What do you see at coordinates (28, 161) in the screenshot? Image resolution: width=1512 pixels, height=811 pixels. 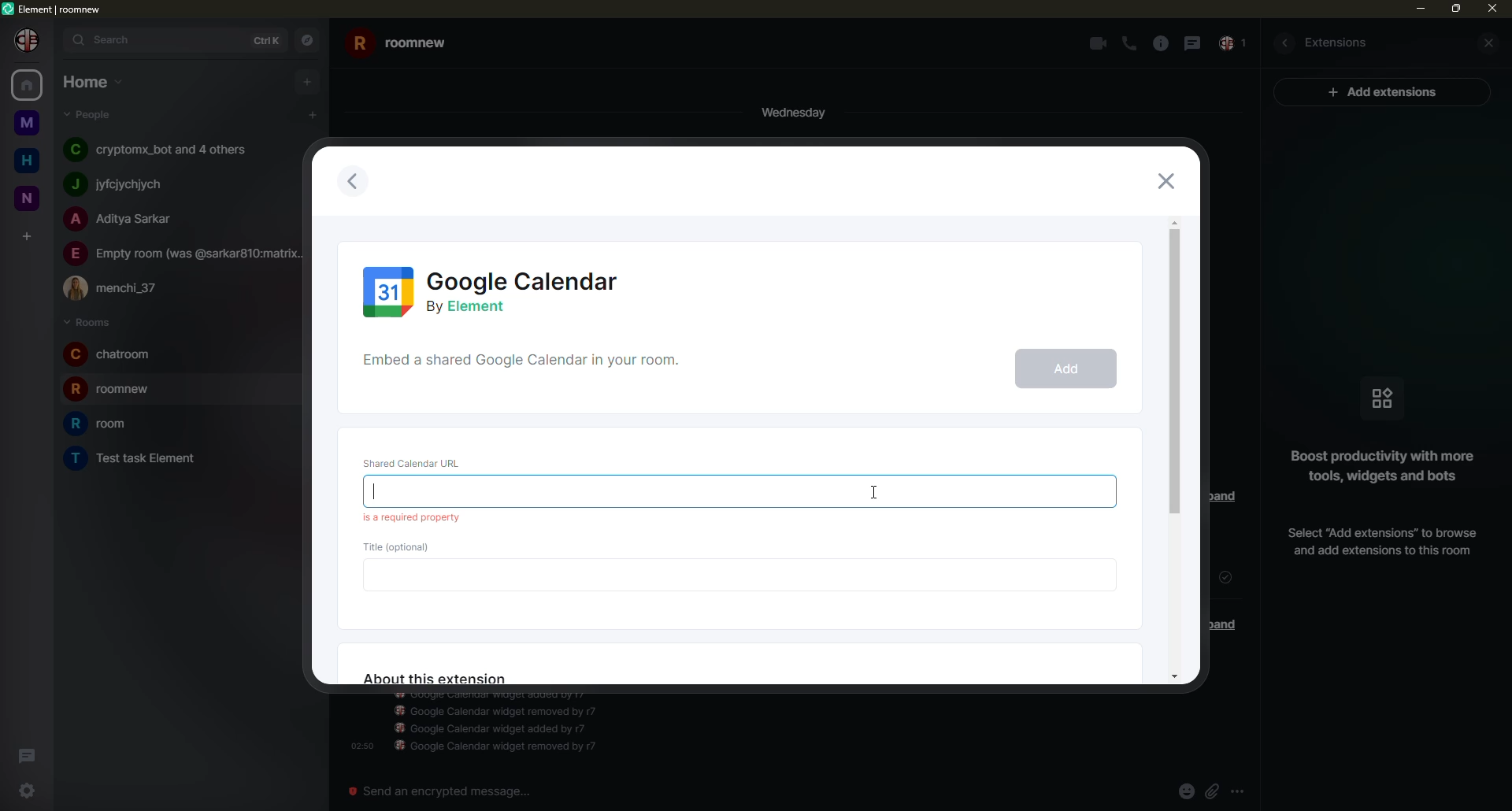 I see `home` at bounding box center [28, 161].